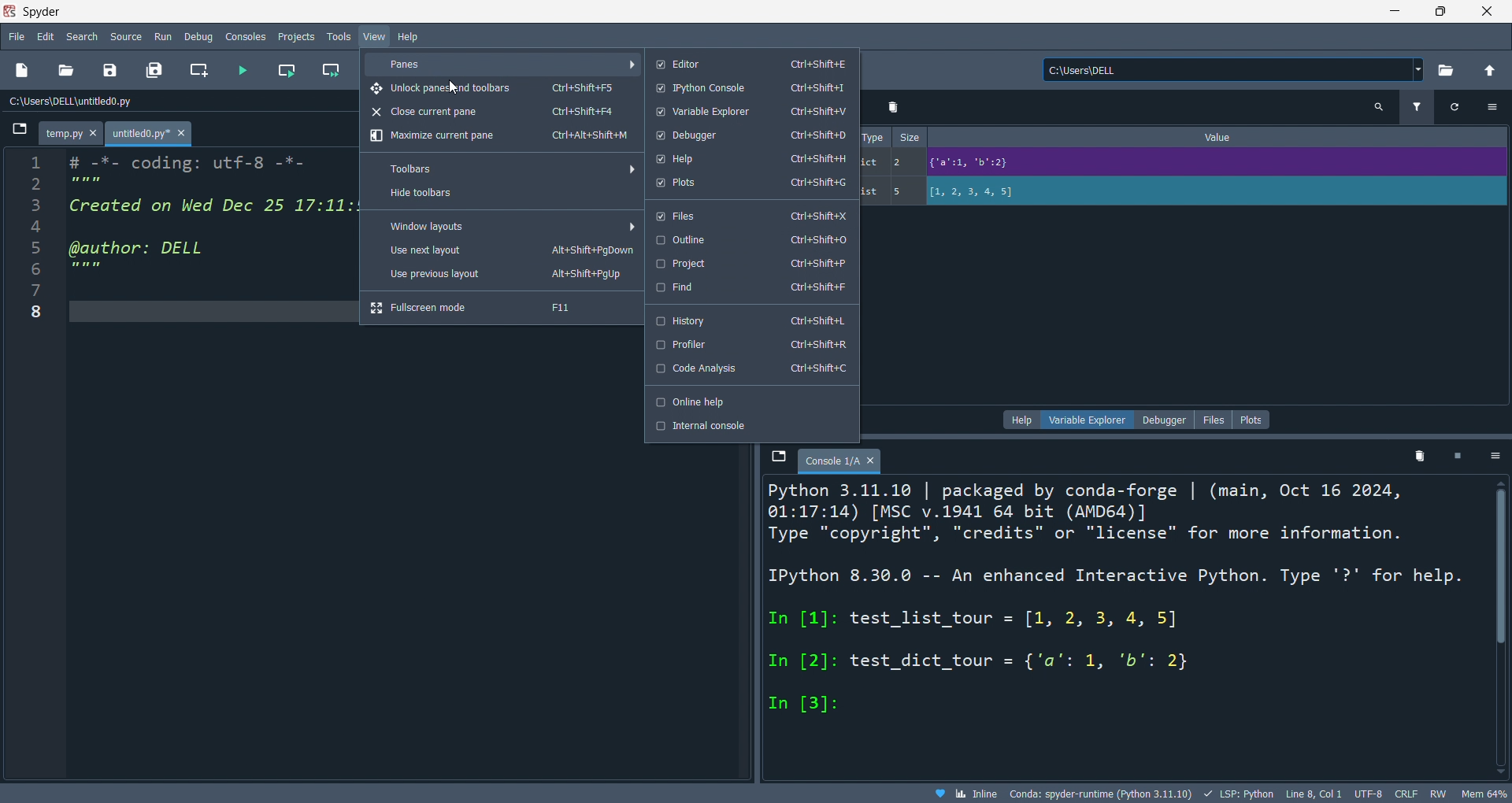 The image size is (1512, 803). What do you see at coordinates (965, 794) in the screenshot?
I see `inline` at bounding box center [965, 794].